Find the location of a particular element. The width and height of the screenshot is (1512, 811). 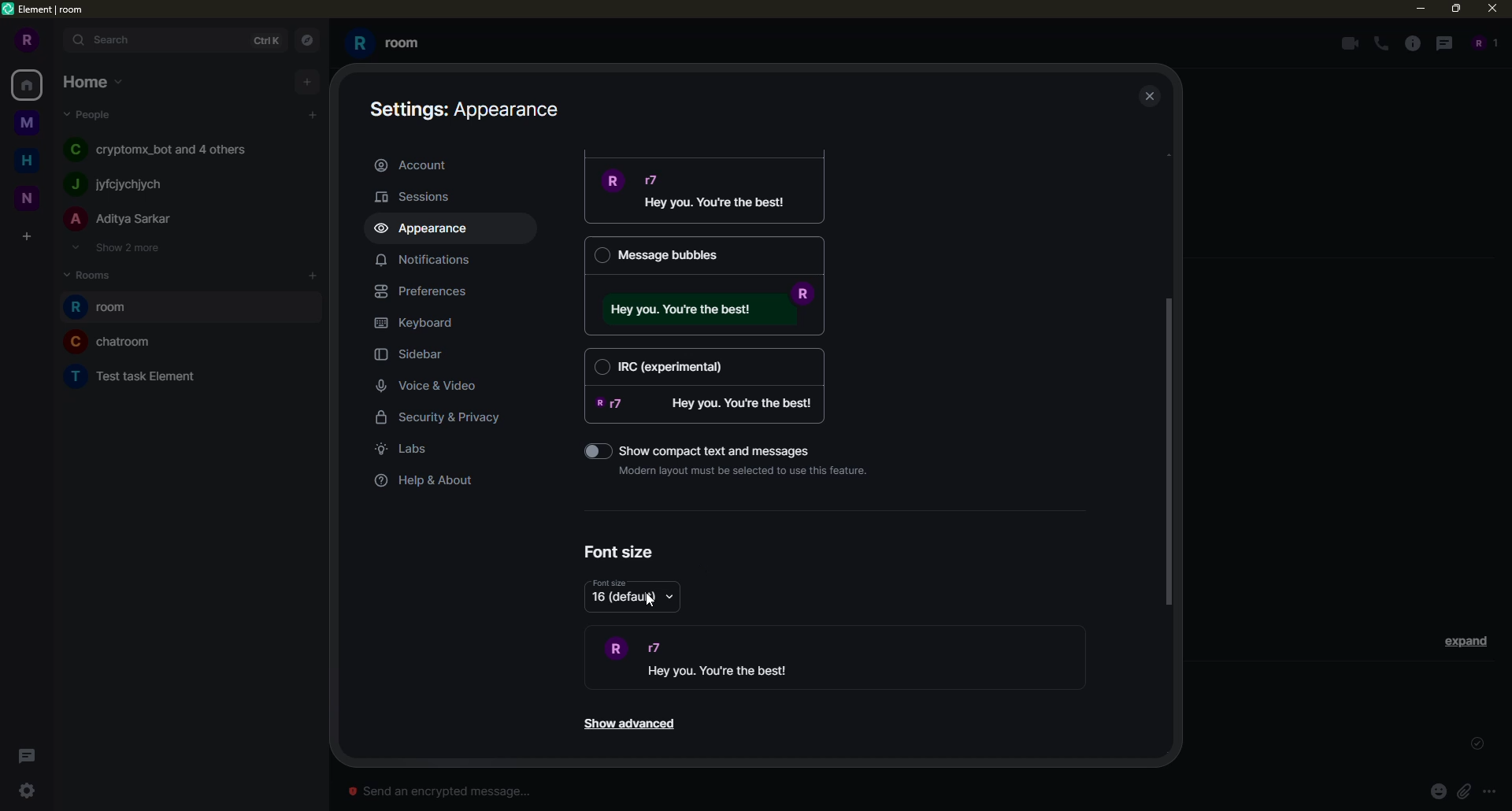

expand is located at coordinates (57, 41).